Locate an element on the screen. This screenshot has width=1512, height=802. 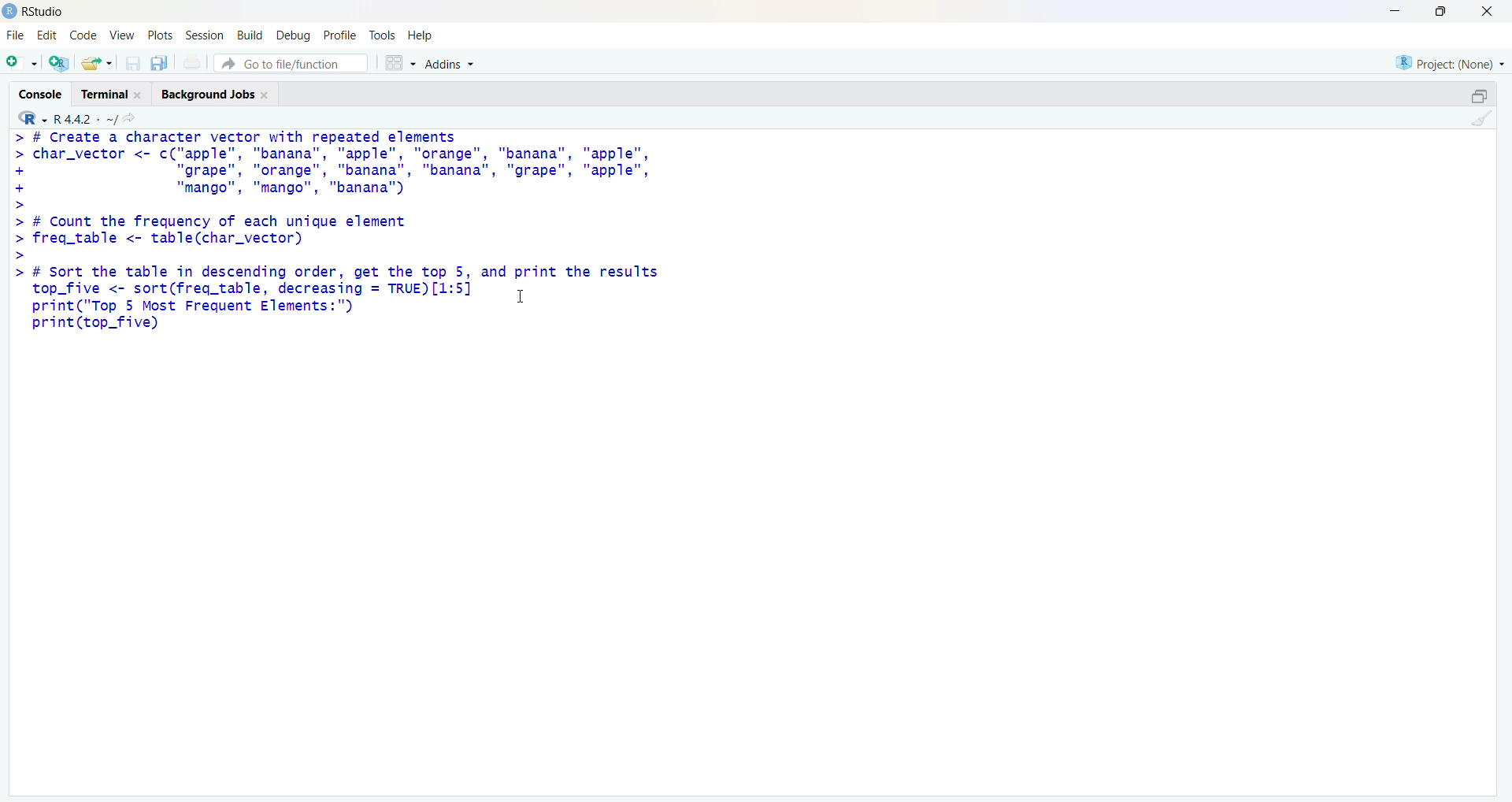
File is located at coordinates (14, 35).